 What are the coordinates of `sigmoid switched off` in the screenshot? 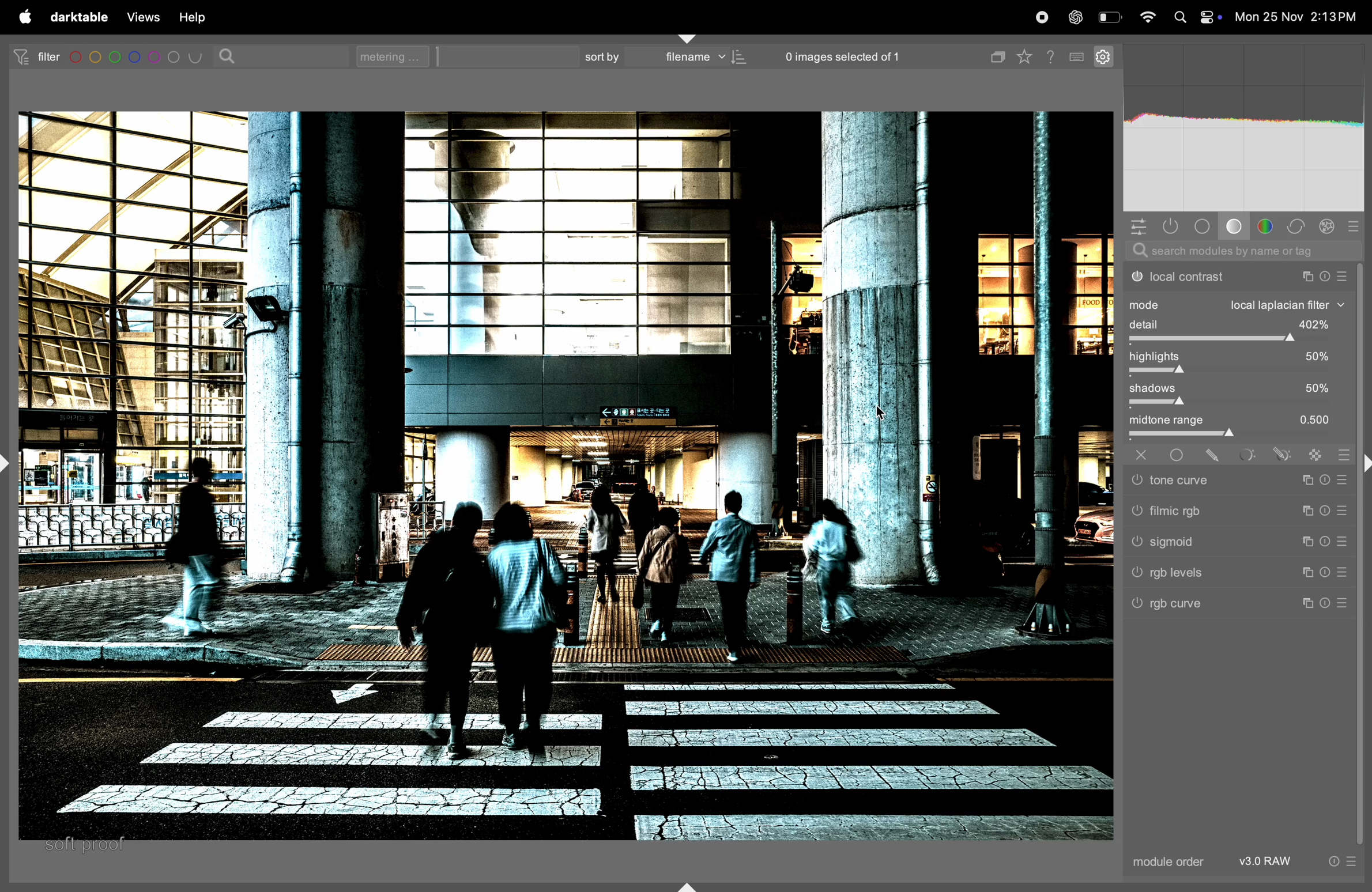 It's located at (1134, 544).